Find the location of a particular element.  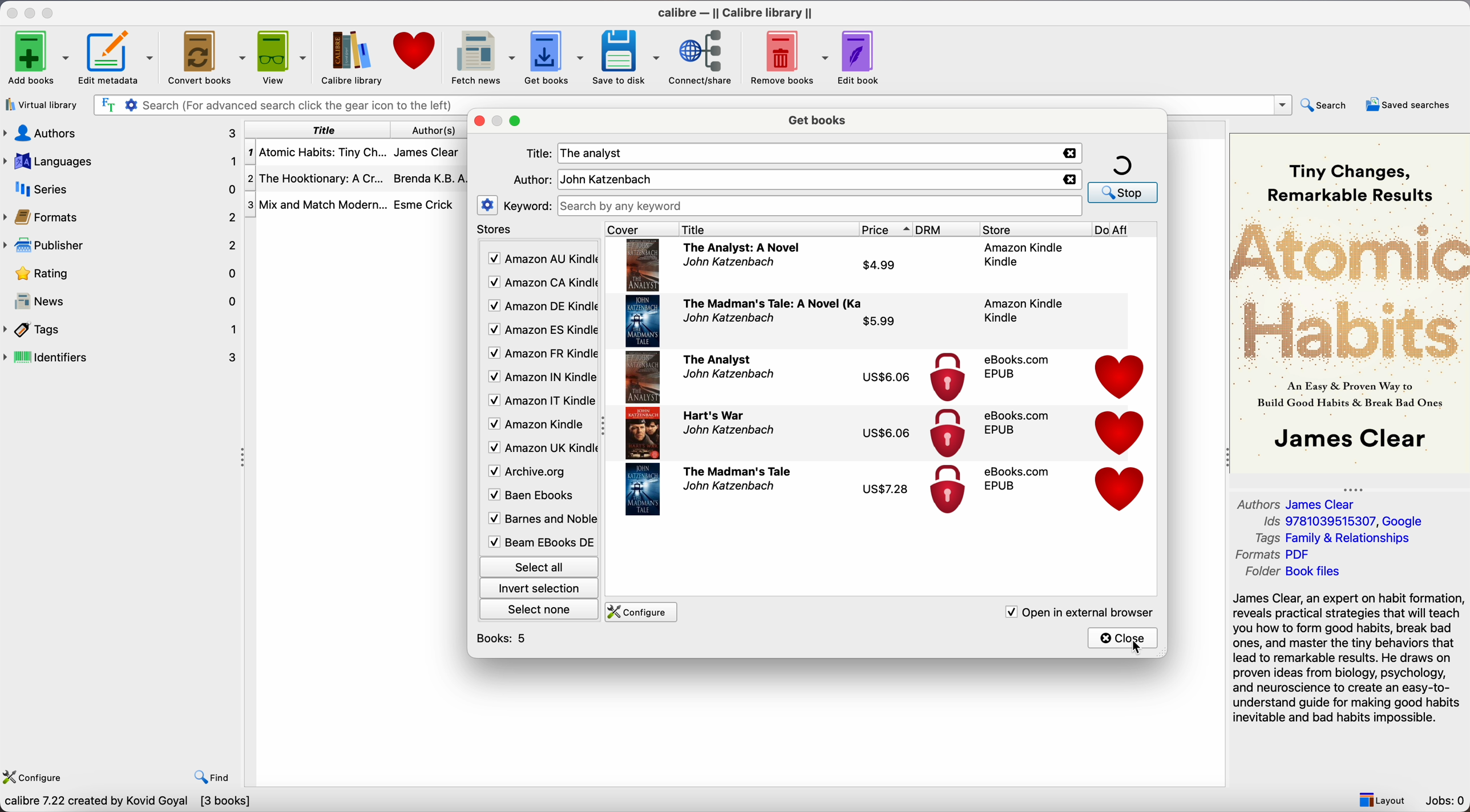

Hart's War is located at coordinates (714, 415).